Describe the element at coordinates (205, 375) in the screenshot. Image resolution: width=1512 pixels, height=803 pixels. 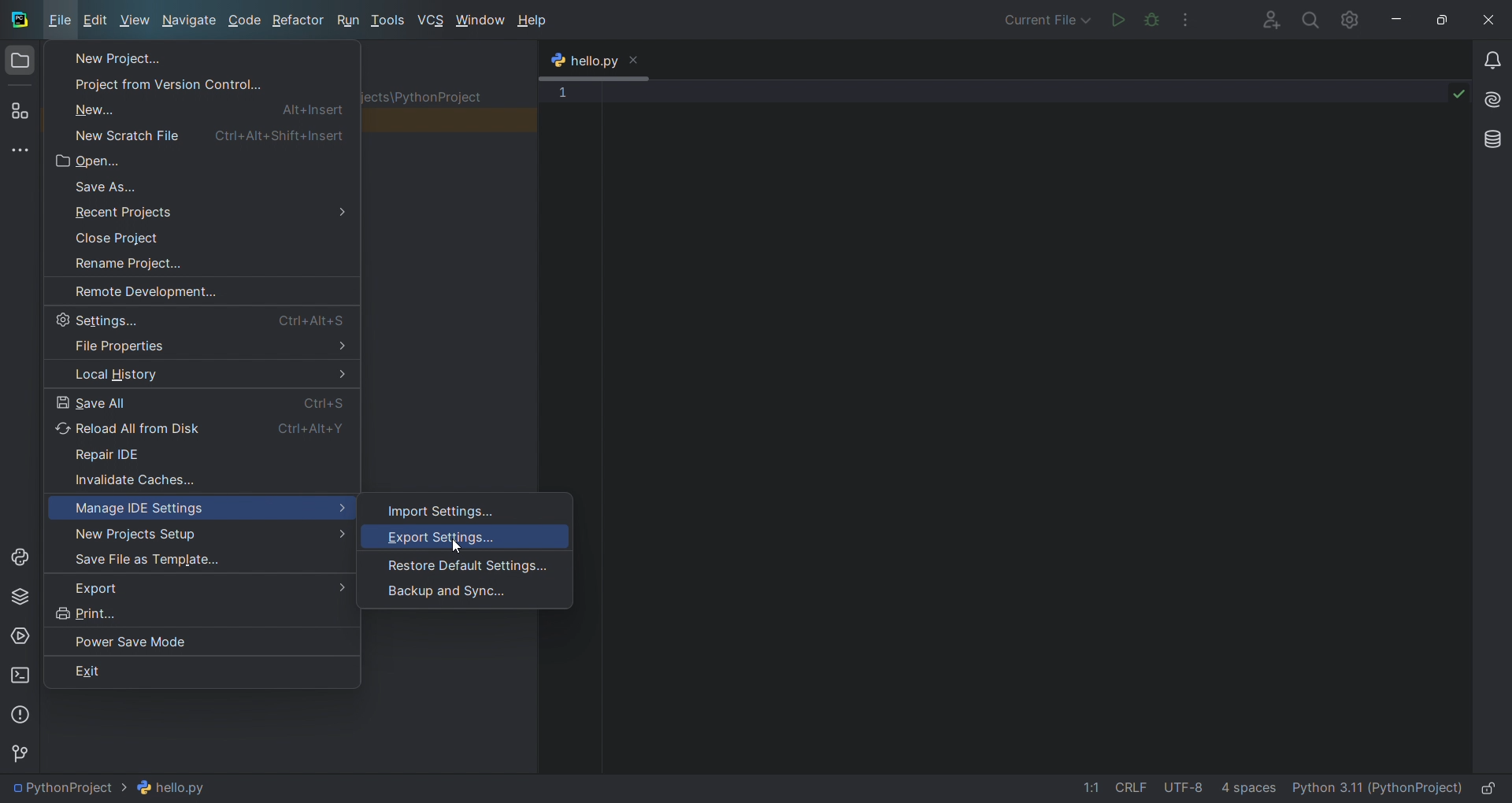
I see `history` at that location.